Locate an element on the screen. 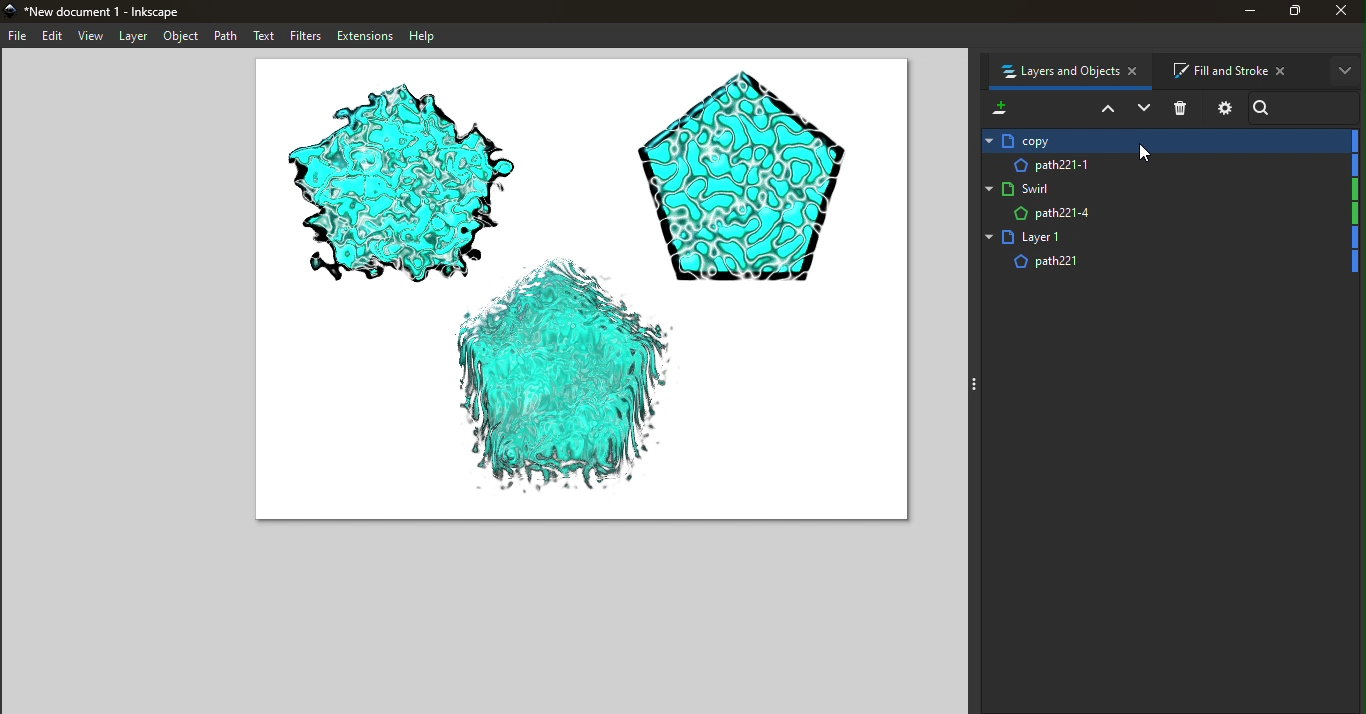 This screenshot has height=714, width=1366. Layer is located at coordinates (134, 37).